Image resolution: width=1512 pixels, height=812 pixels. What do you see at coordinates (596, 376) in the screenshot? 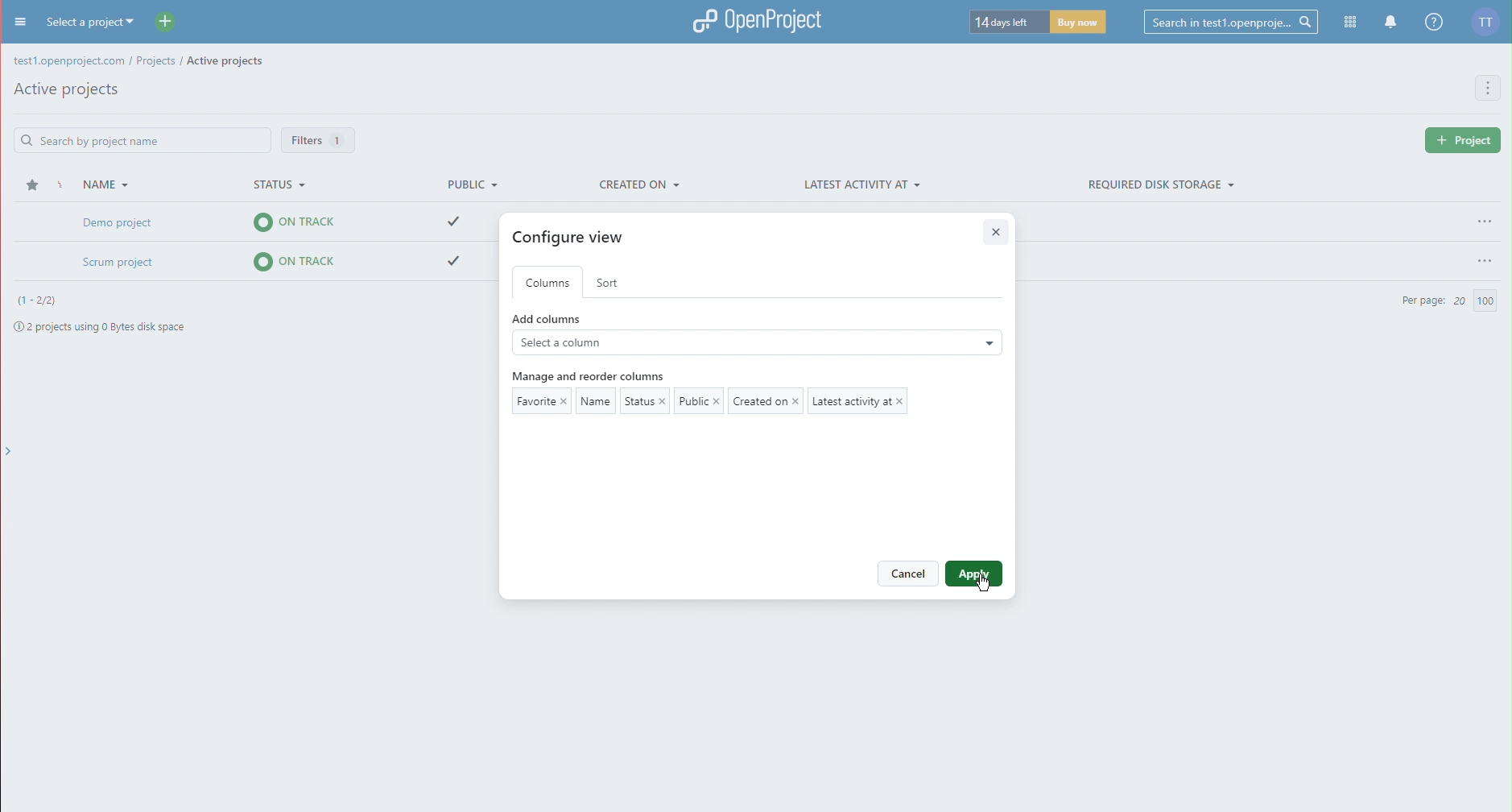
I see `Manage and reorder columns` at bounding box center [596, 376].